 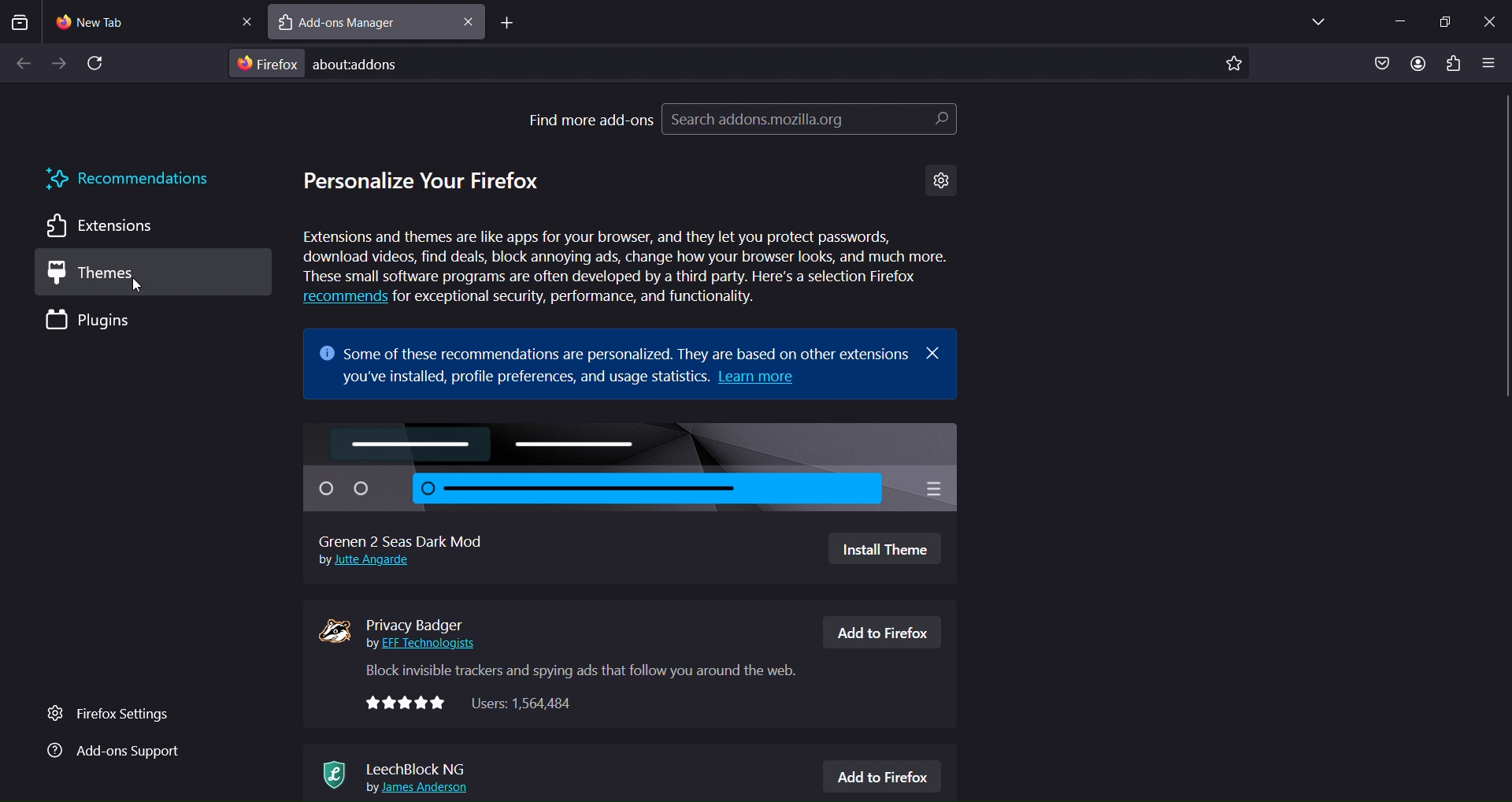 I want to click on save to pocket, so click(x=1380, y=64).